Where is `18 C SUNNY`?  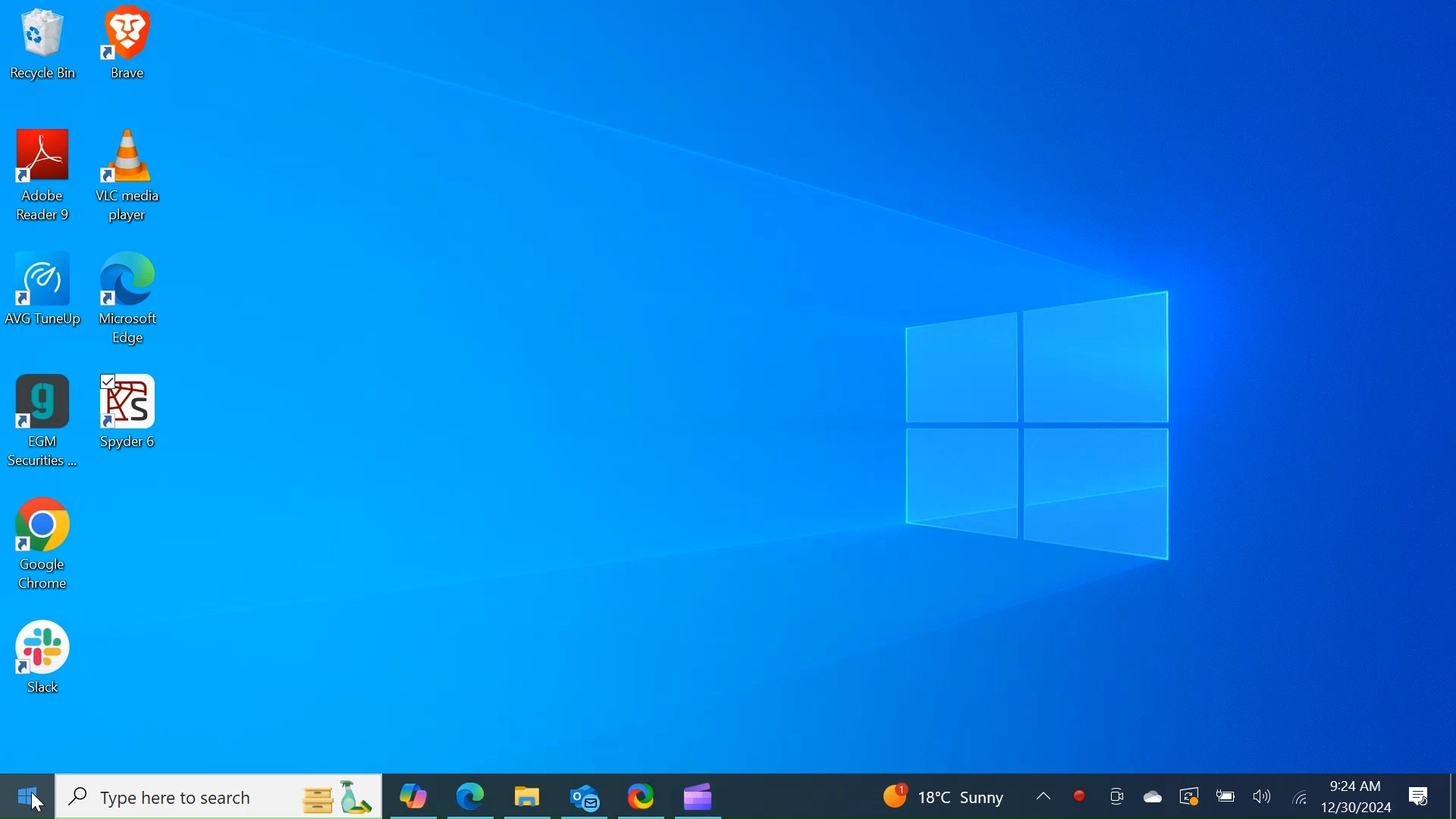 18 C SUNNY is located at coordinates (959, 794).